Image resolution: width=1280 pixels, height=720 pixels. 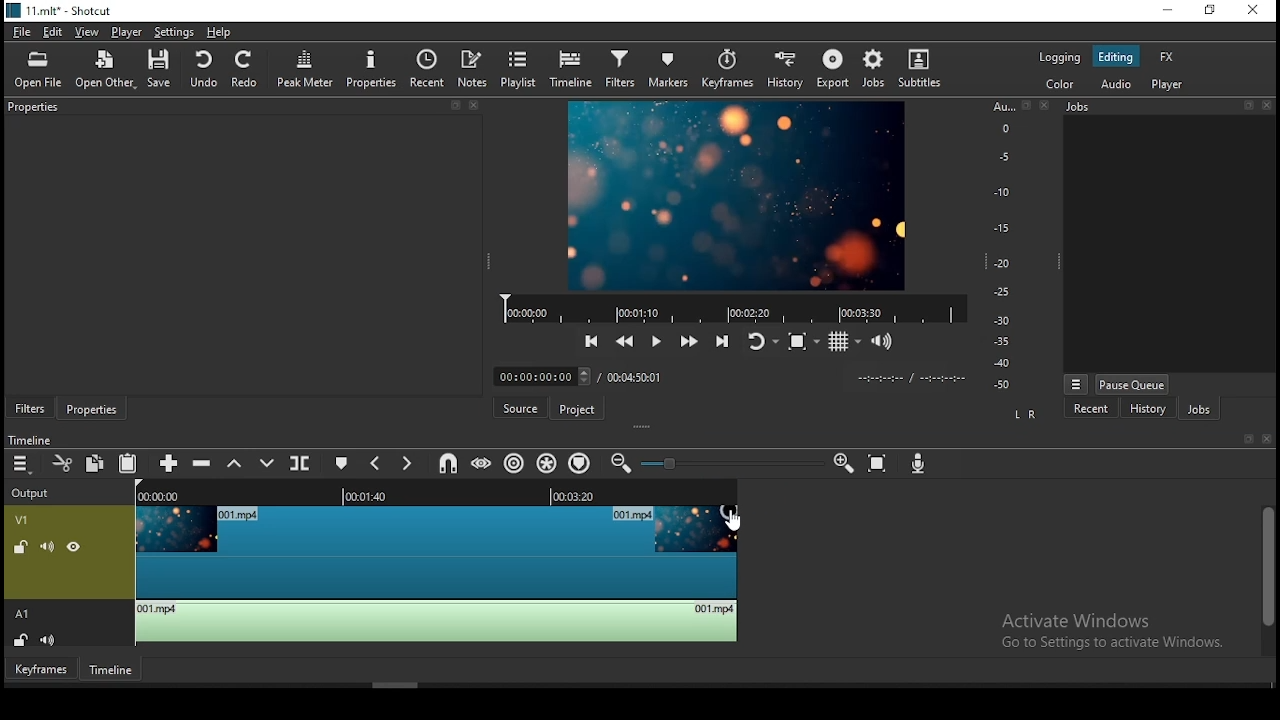 What do you see at coordinates (689, 345) in the screenshot?
I see `play quickly forwards` at bounding box center [689, 345].